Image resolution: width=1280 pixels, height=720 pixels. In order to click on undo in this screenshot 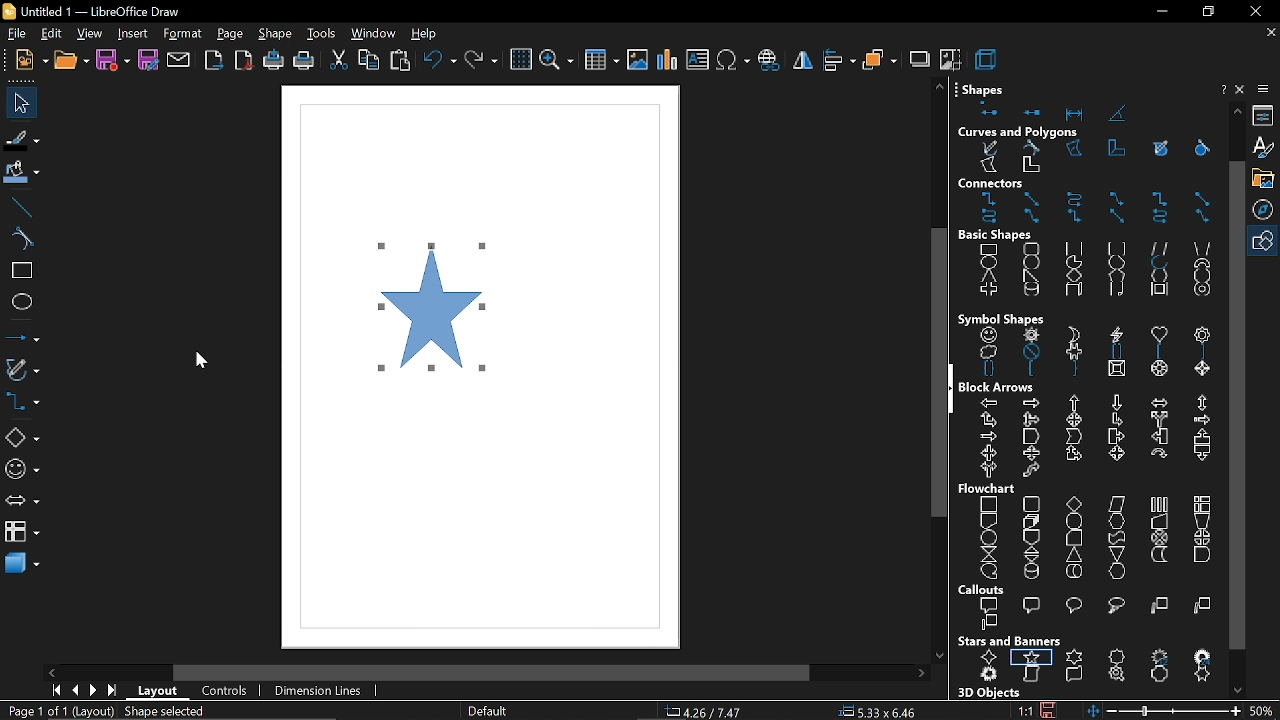, I will do `click(438, 61)`.